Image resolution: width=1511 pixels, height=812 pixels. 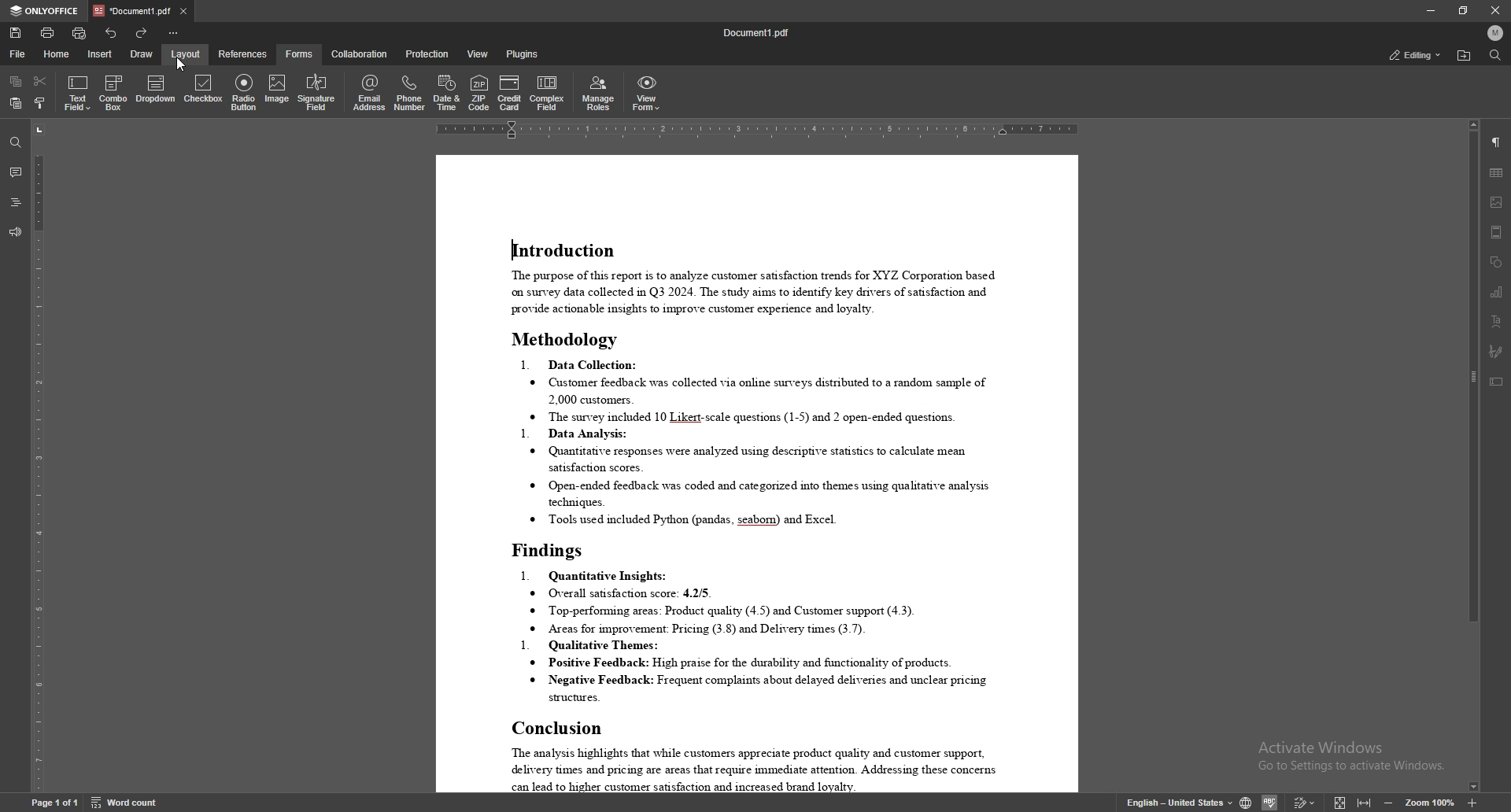 I want to click on text box, so click(x=1498, y=382).